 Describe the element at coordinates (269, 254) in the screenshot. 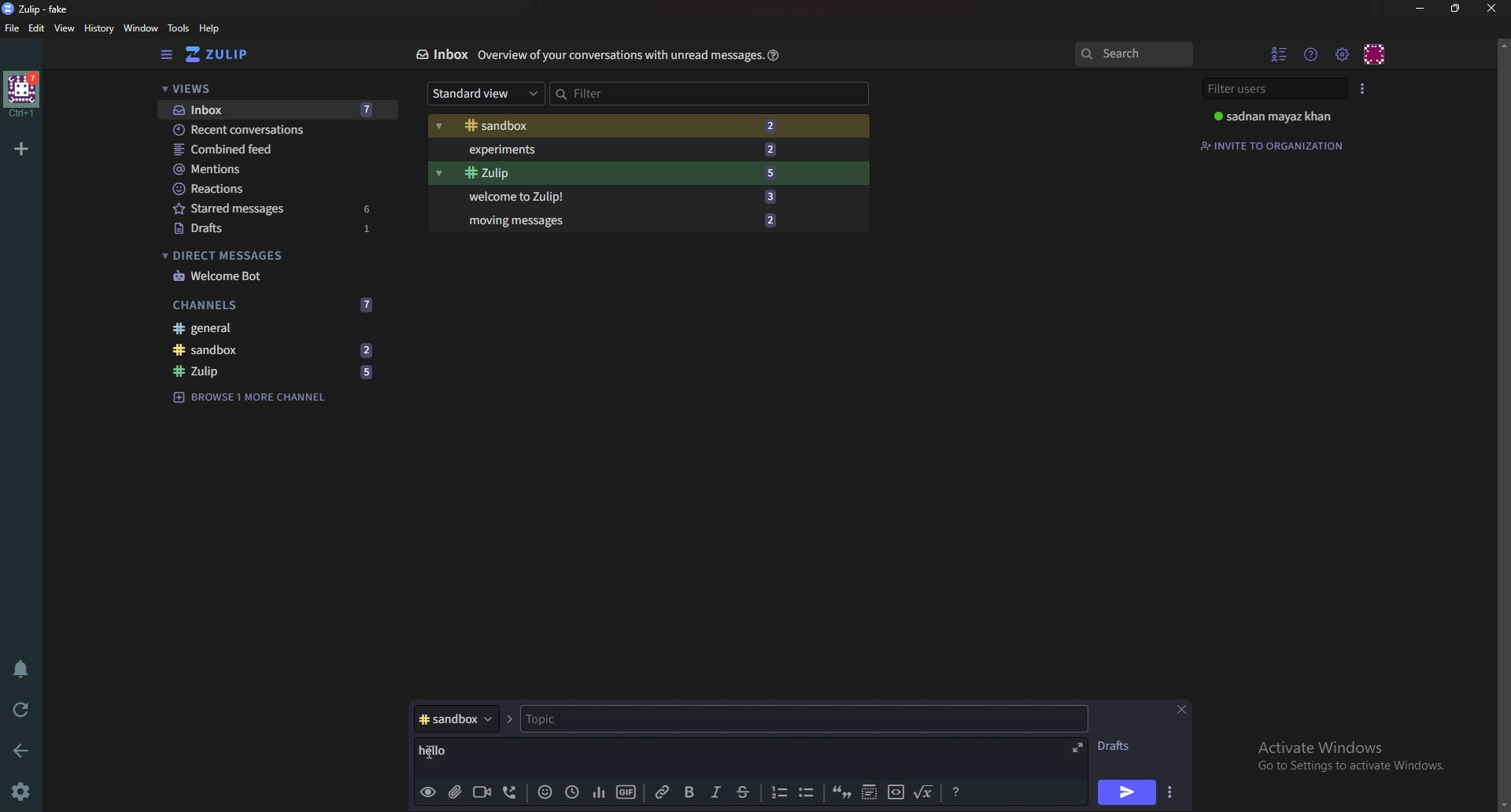

I see `Direct messages` at that location.